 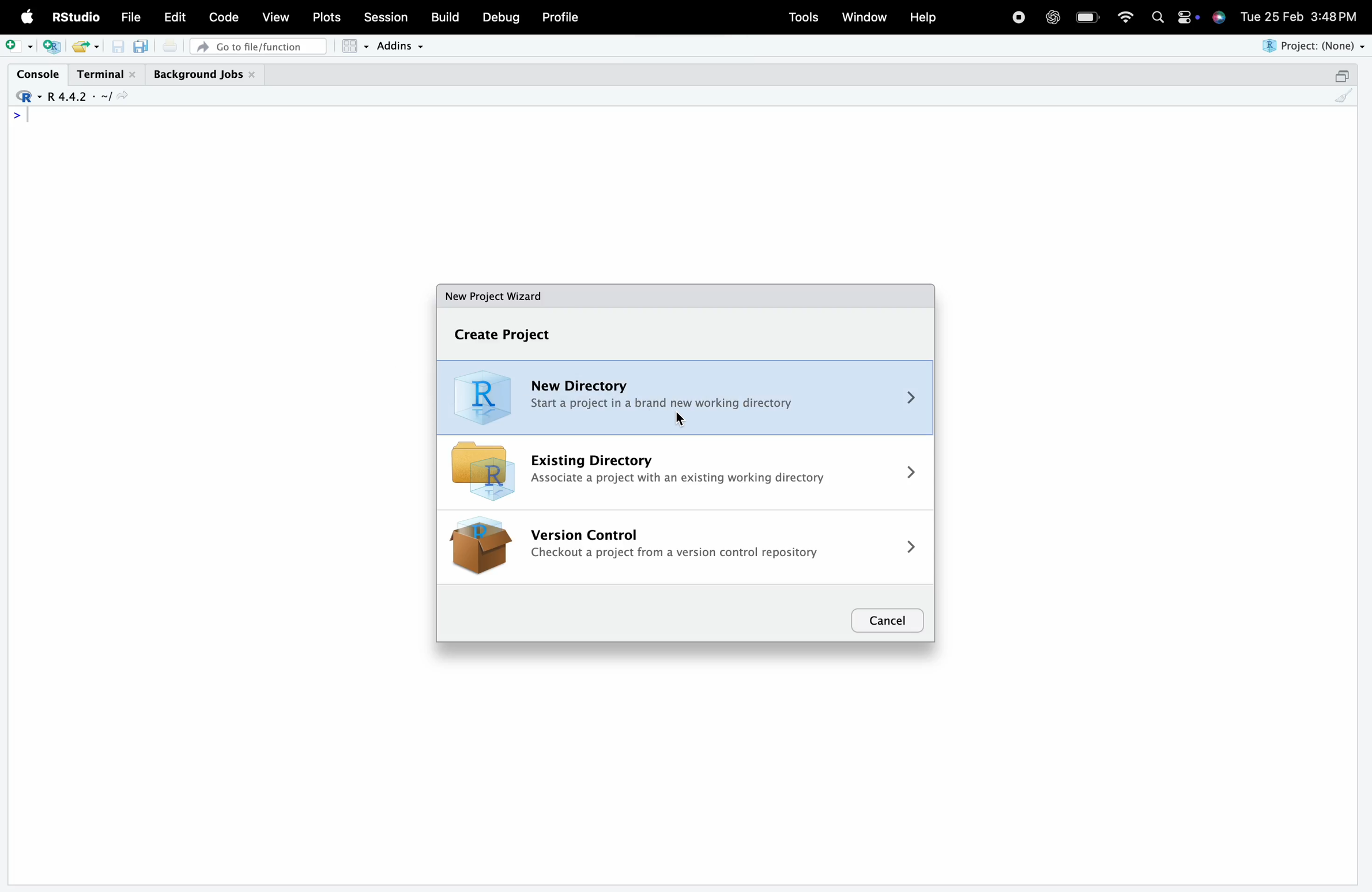 I want to click on Code, so click(x=223, y=17).